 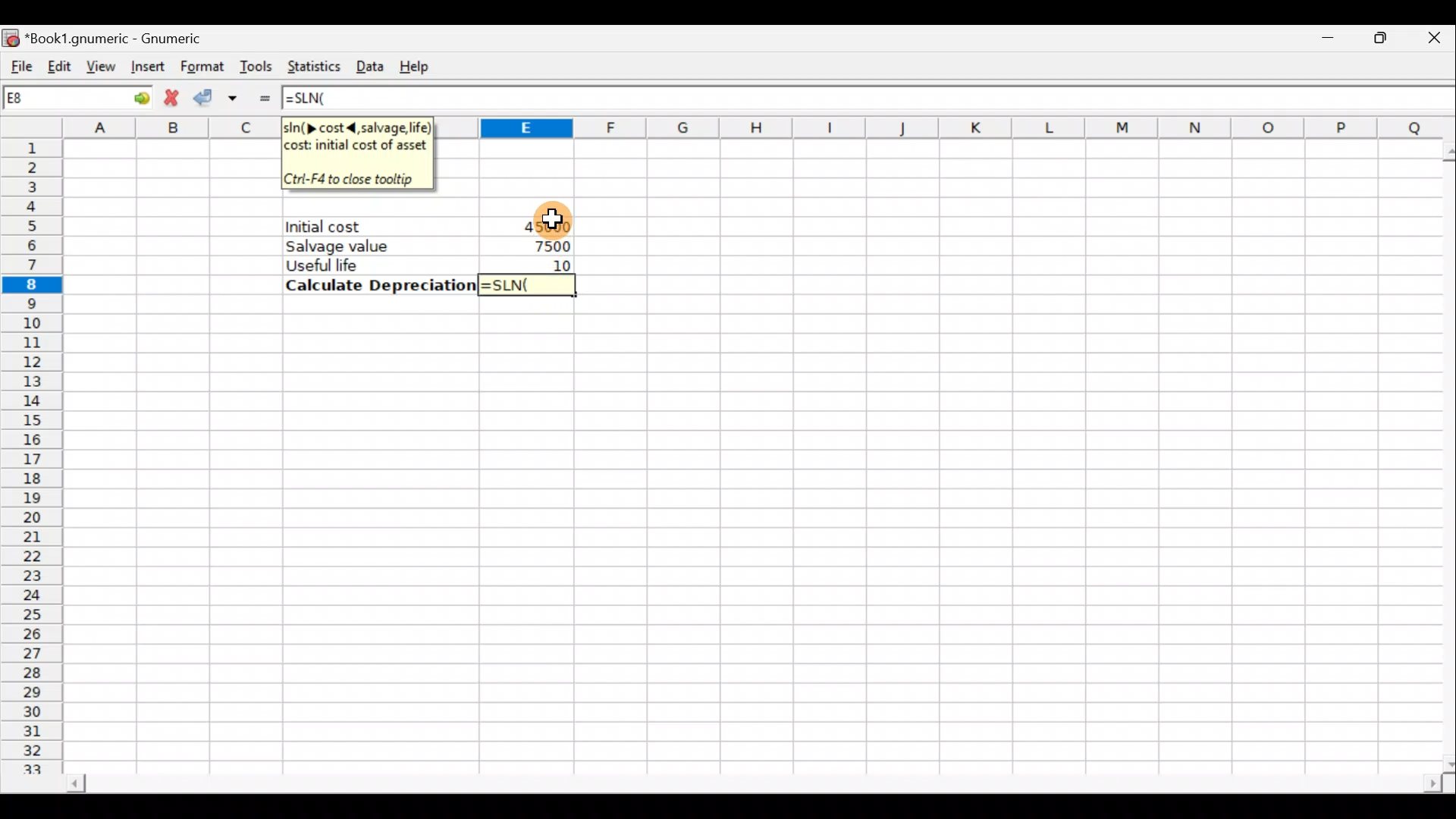 What do you see at coordinates (369, 246) in the screenshot?
I see `Salvage value` at bounding box center [369, 246].